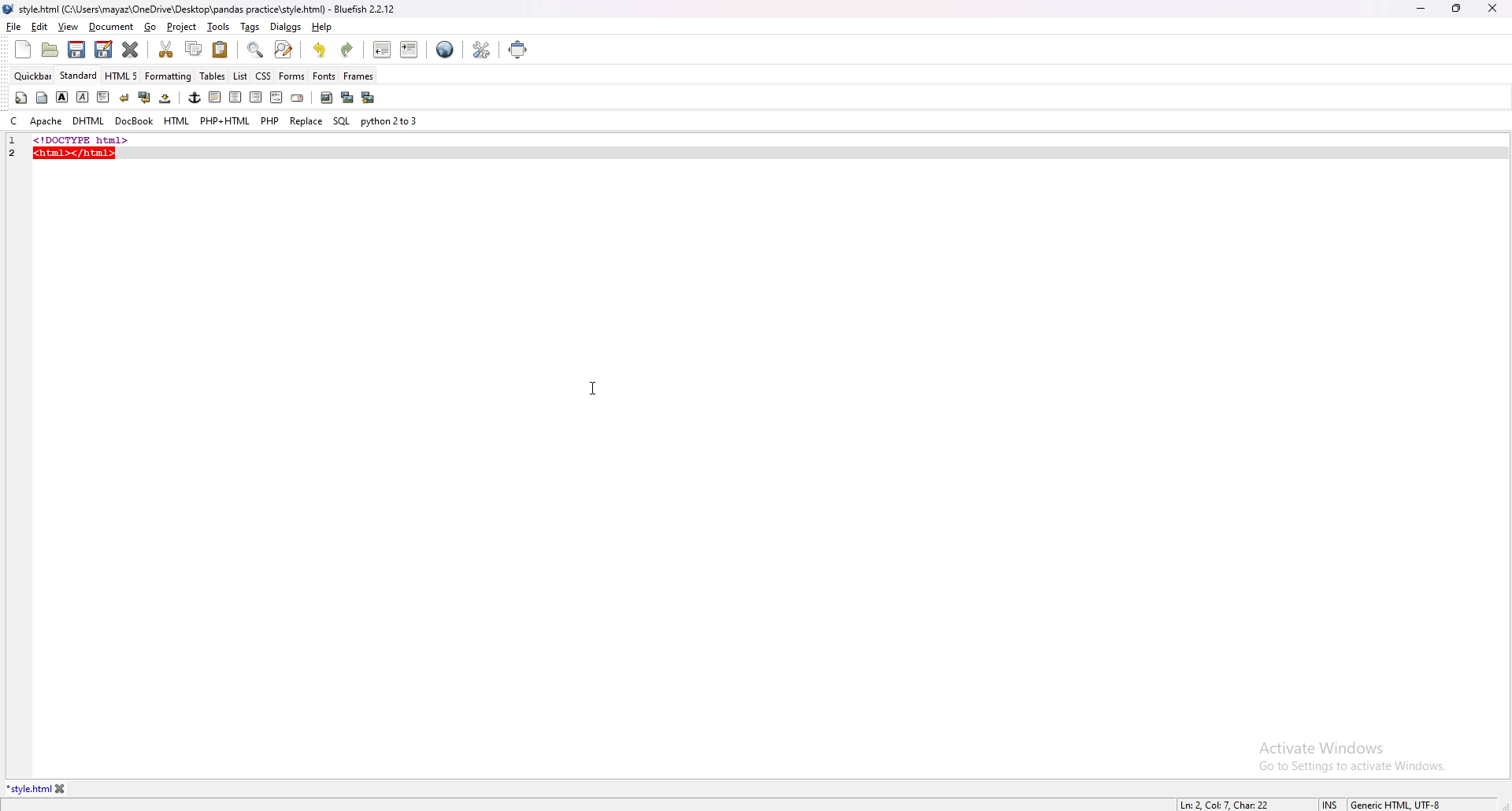 Image resolution: width=1512 pixels, height=811 pixels. What do you see at coordinates (213, 76) in the screenshot?
I see `tables` at bounding box center [213, 76].